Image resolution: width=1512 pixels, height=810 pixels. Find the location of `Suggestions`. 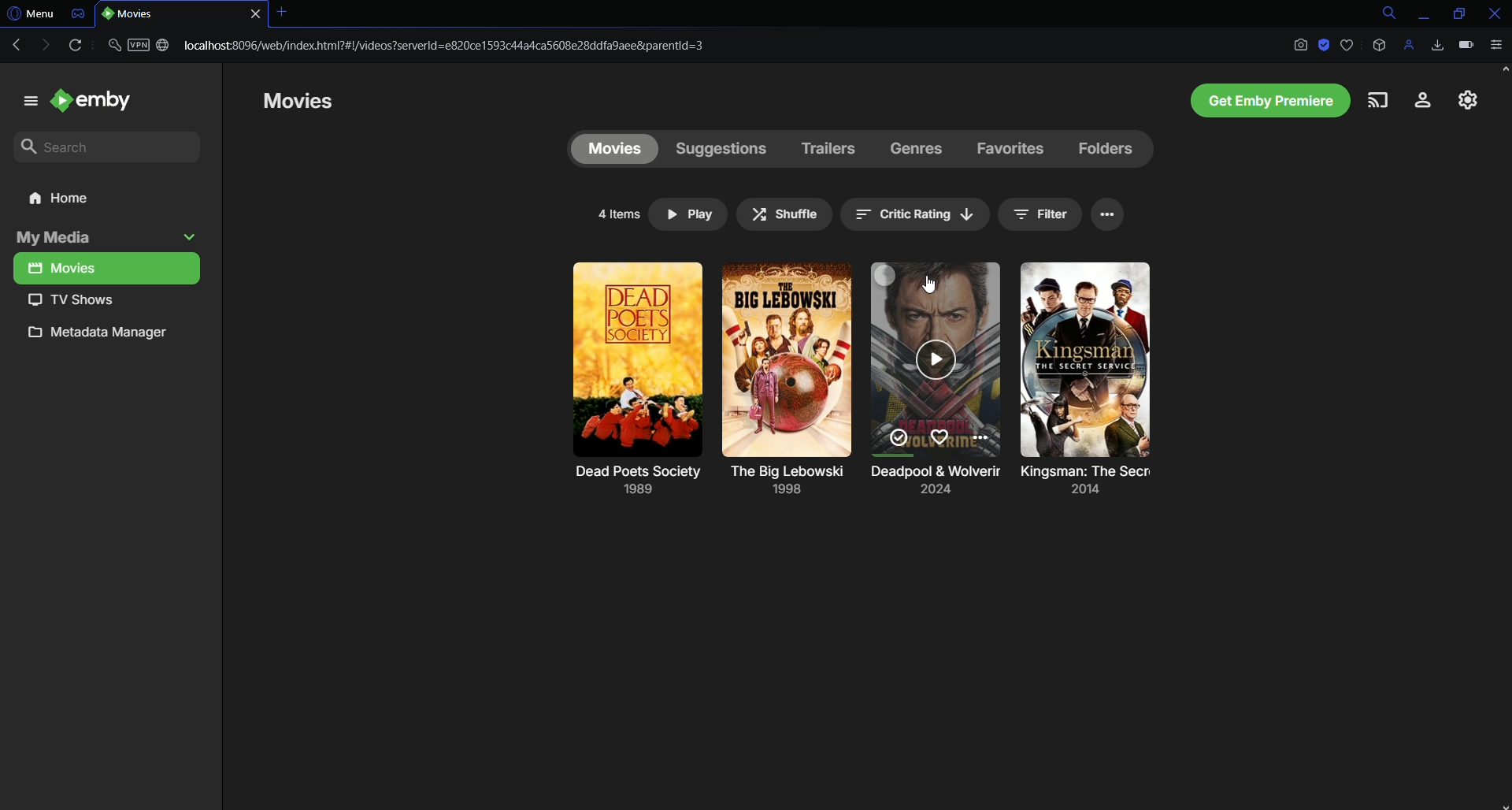

Suggestions is located at coordinates (723, 146).